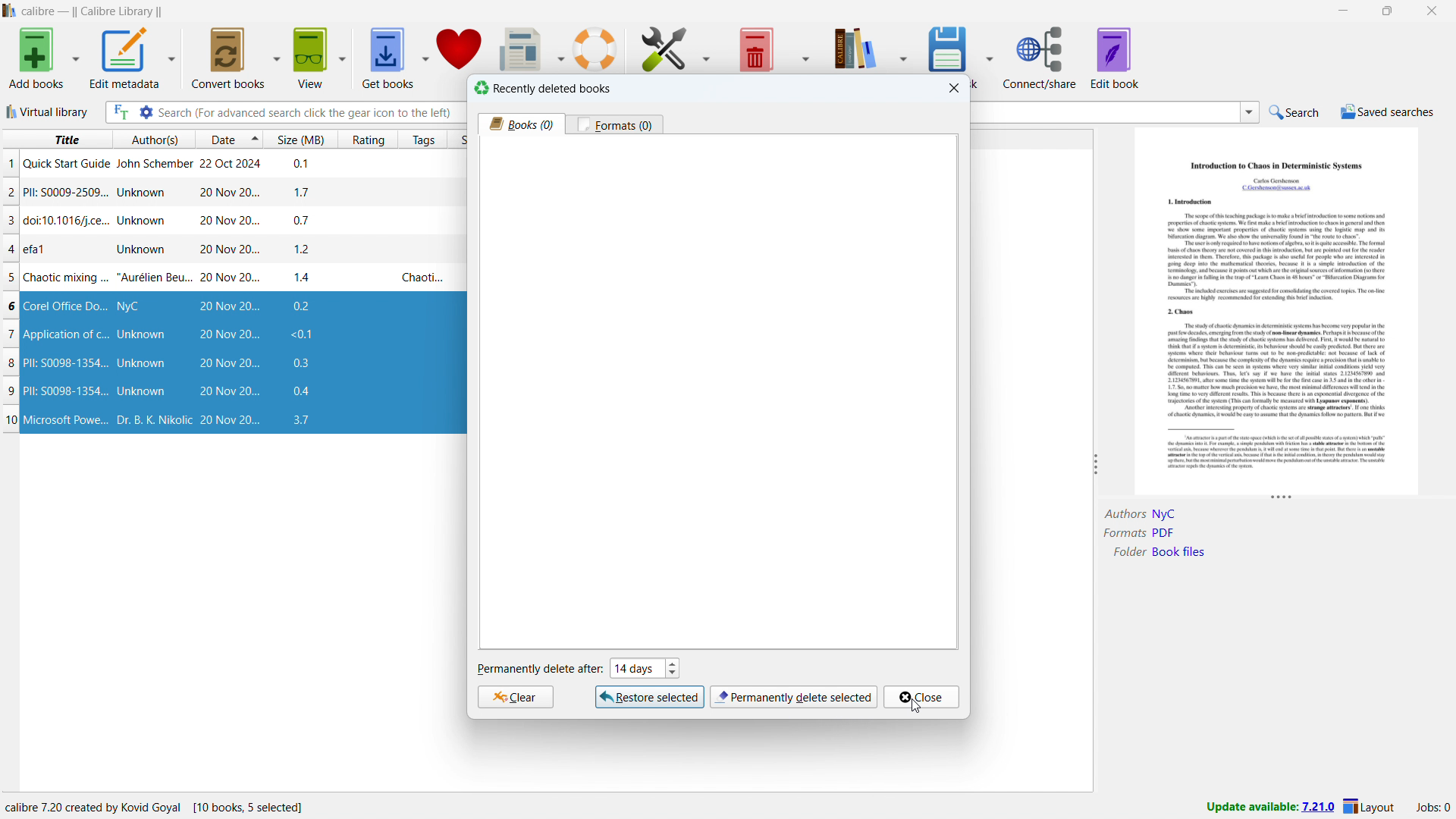 This screenshot has height=819, width=1456. I want to click on minimize, so click(1342, 11).